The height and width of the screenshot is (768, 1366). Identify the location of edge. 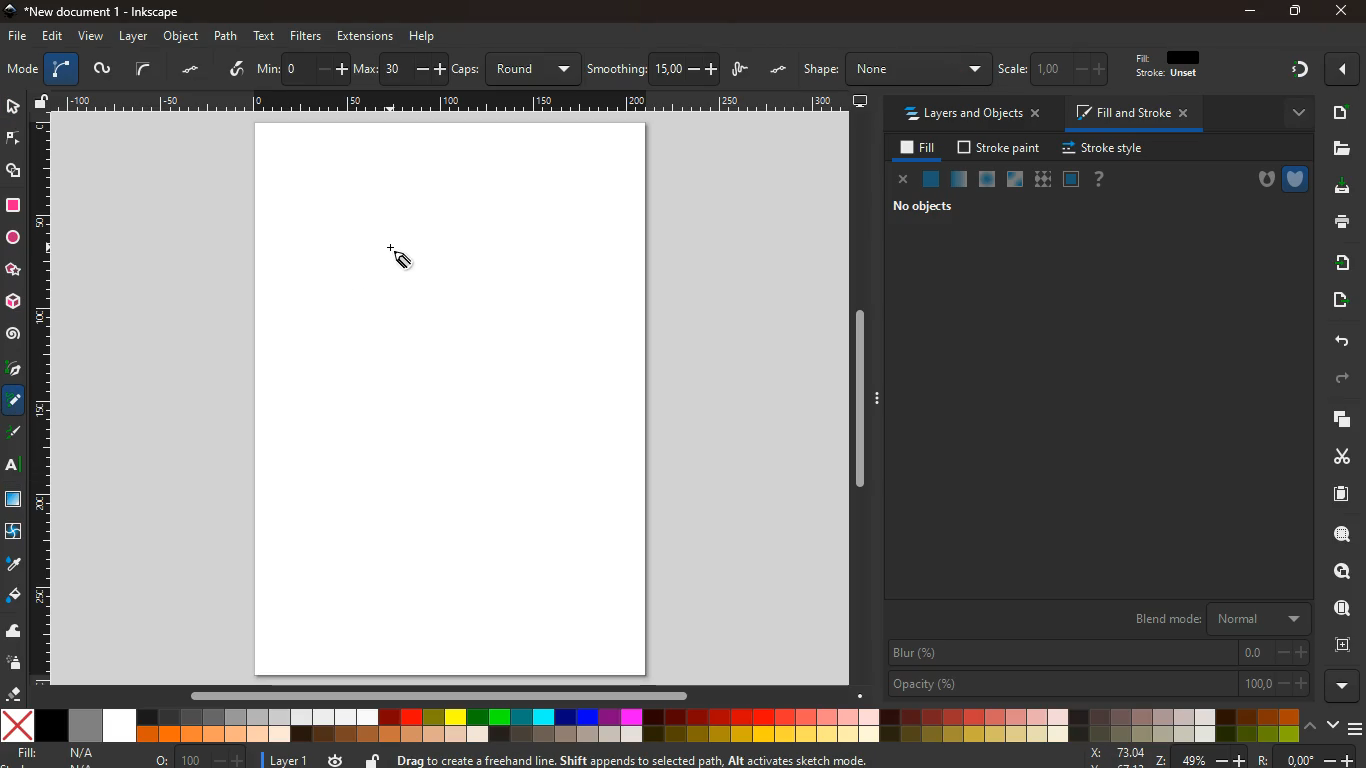
(14, 142).